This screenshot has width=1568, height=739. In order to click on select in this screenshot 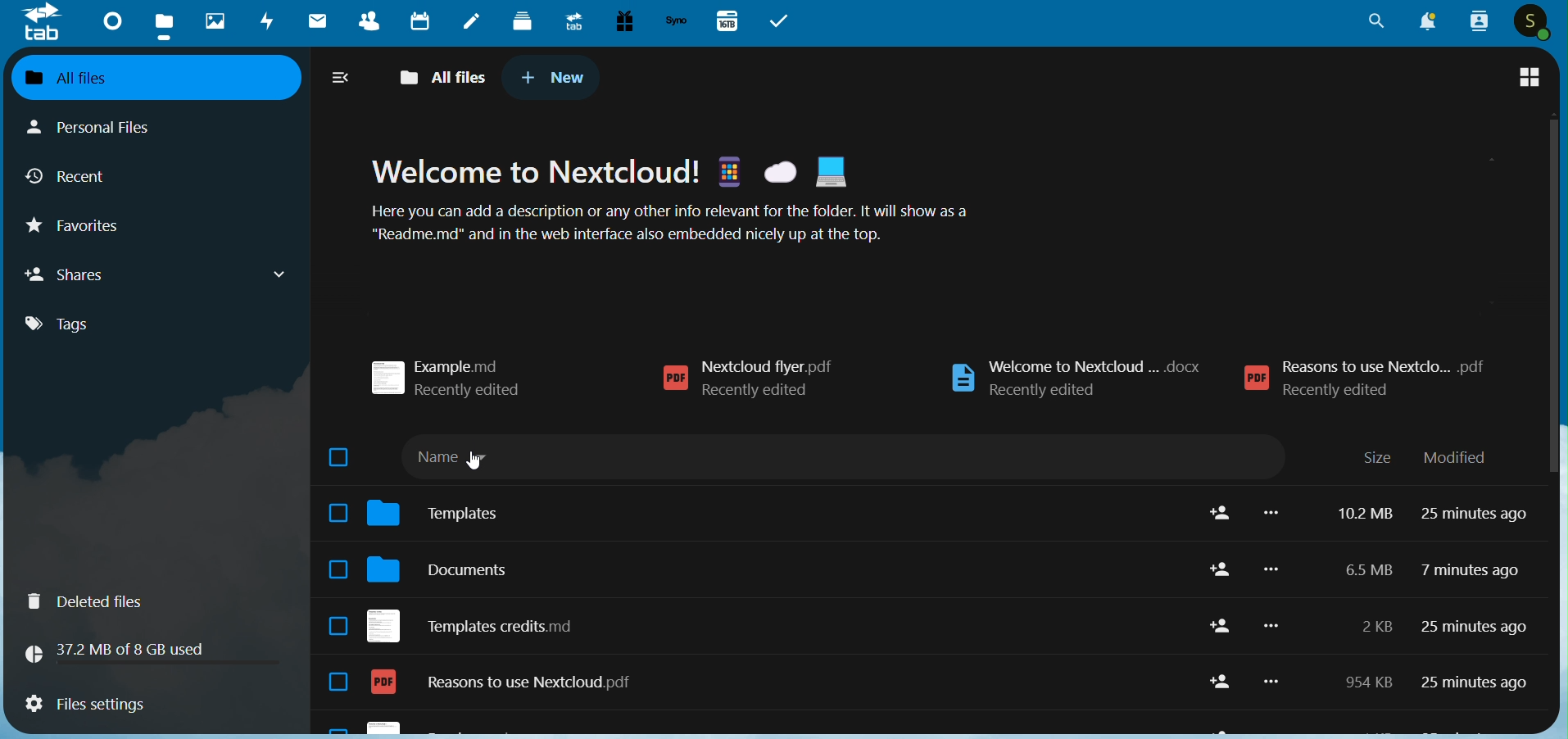, I will do `click(332, 575)`.